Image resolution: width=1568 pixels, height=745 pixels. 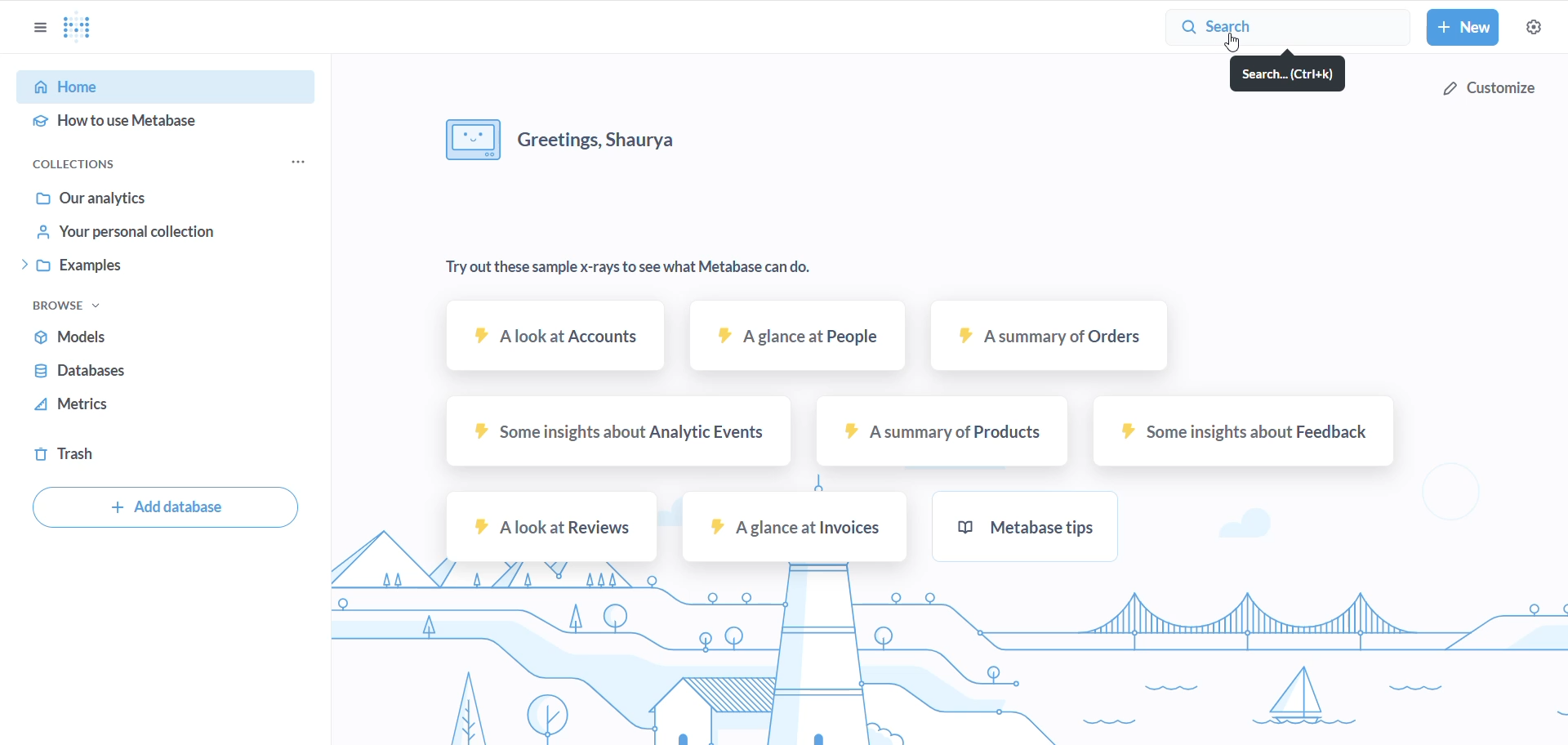 What do you see at coordinates (40, 28) in the screenshot?
I see `OPTIONS` at bounding box center [40, 28].